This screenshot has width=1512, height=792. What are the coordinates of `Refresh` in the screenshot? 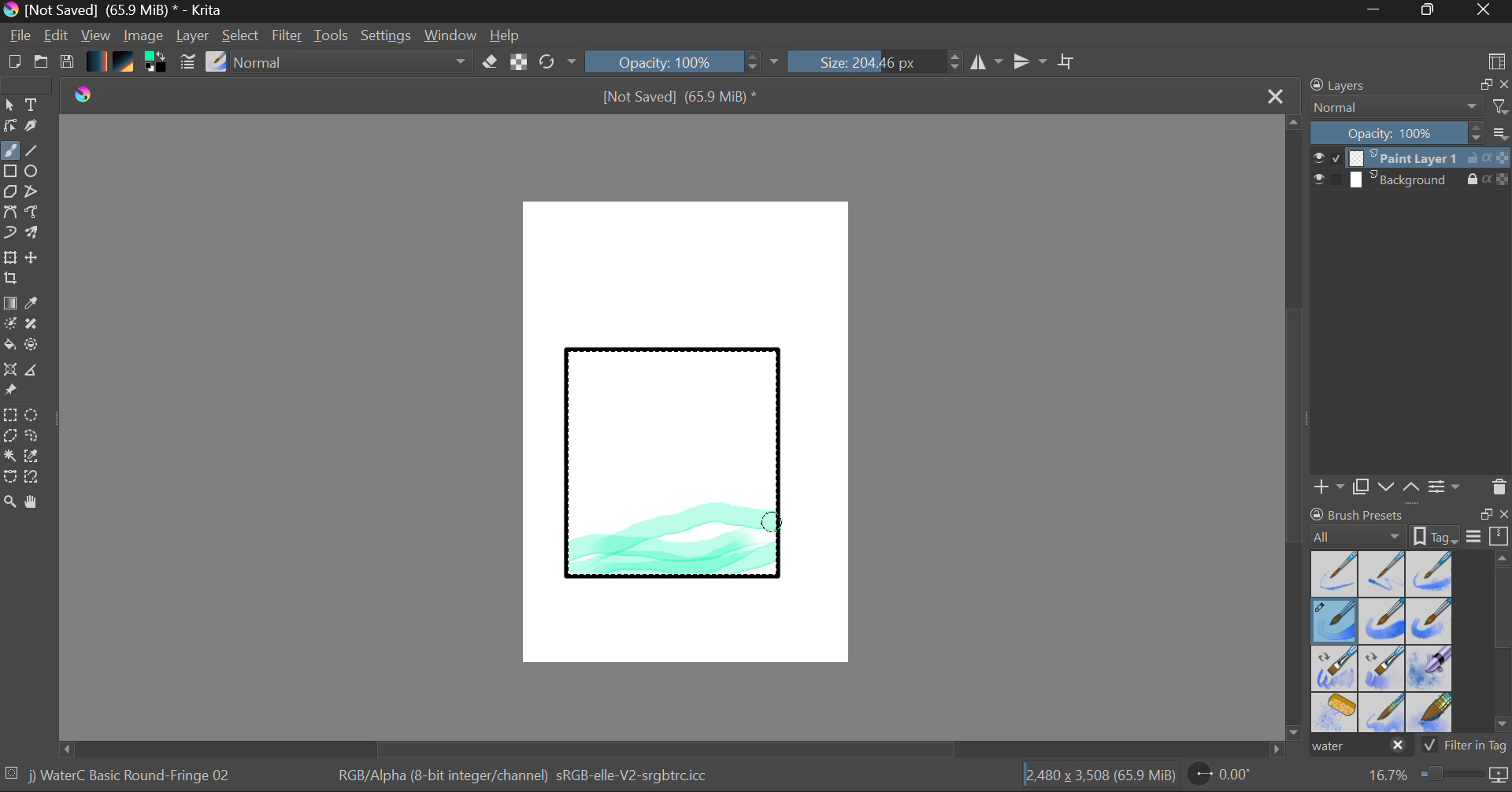 It's located at (558, 61).